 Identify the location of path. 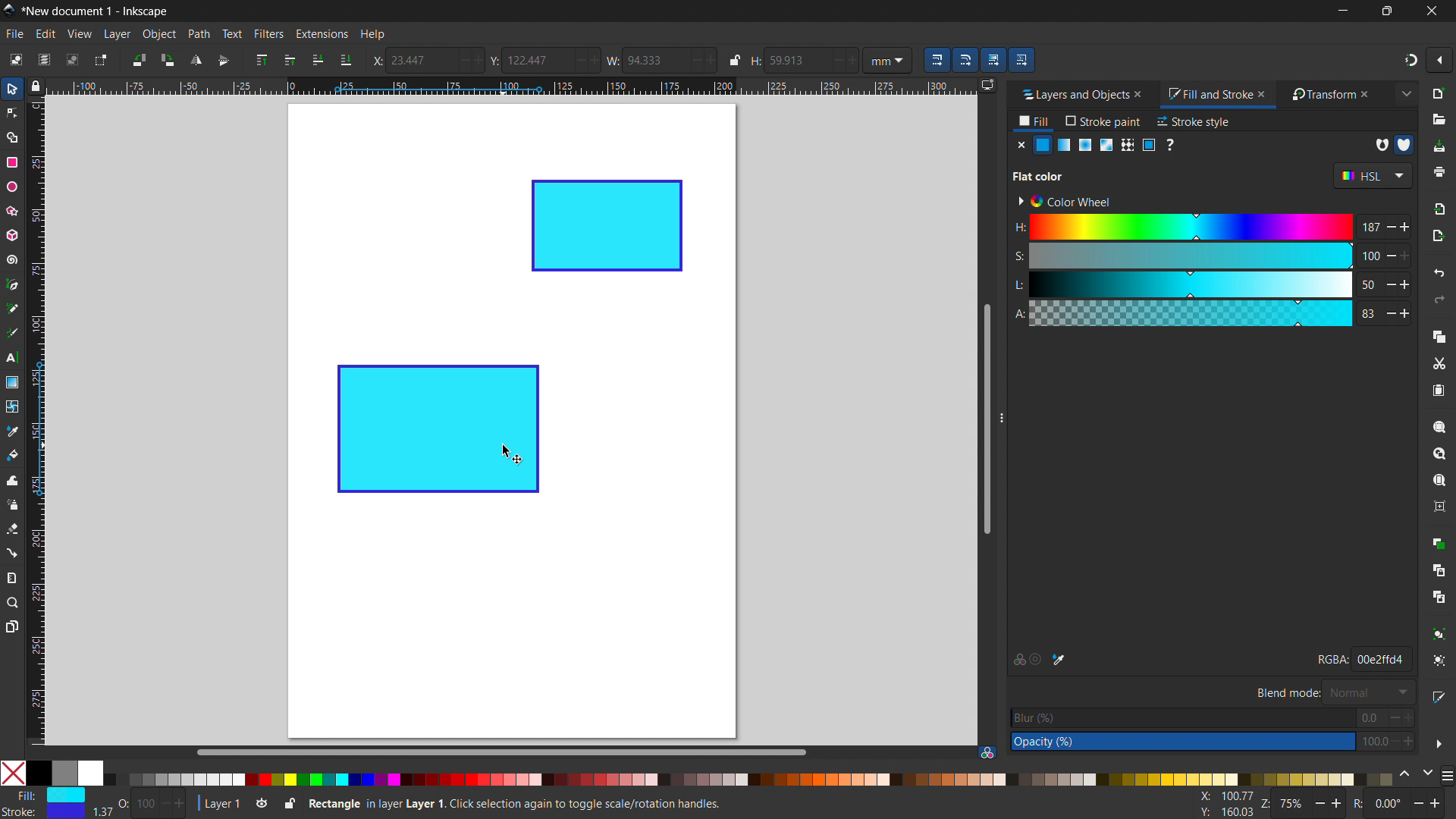
(199, 34).